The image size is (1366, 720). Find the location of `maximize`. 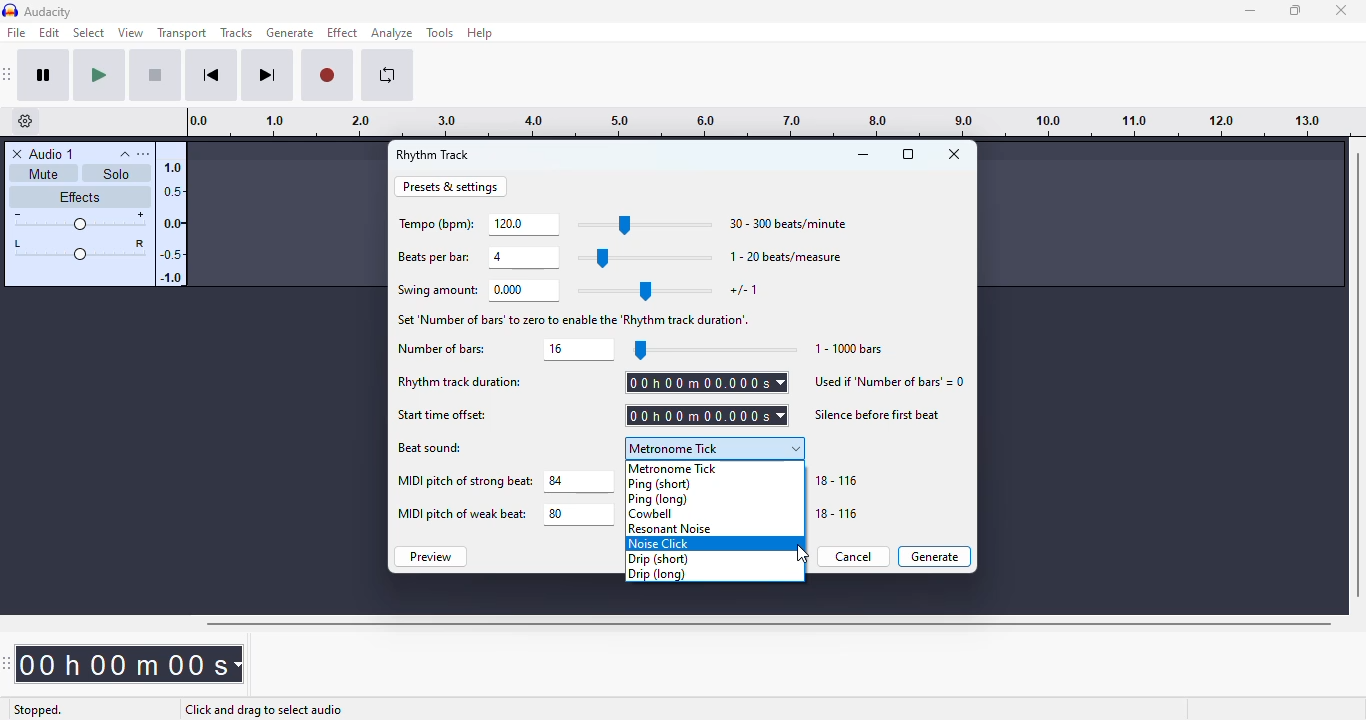

maximize is located at coordinates (908, 153).